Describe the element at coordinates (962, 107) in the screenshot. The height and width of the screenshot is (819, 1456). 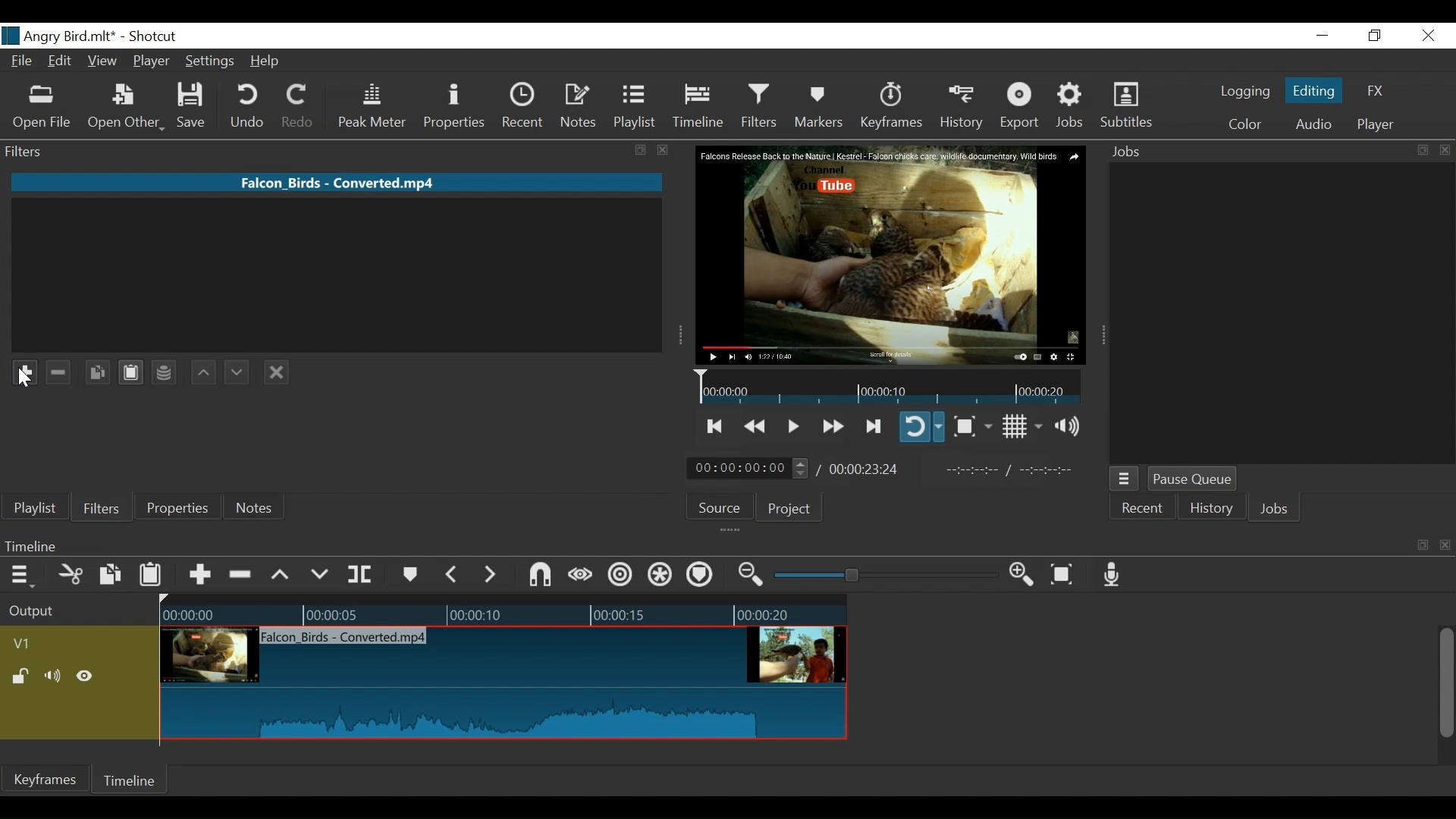
I see `History` at that location.